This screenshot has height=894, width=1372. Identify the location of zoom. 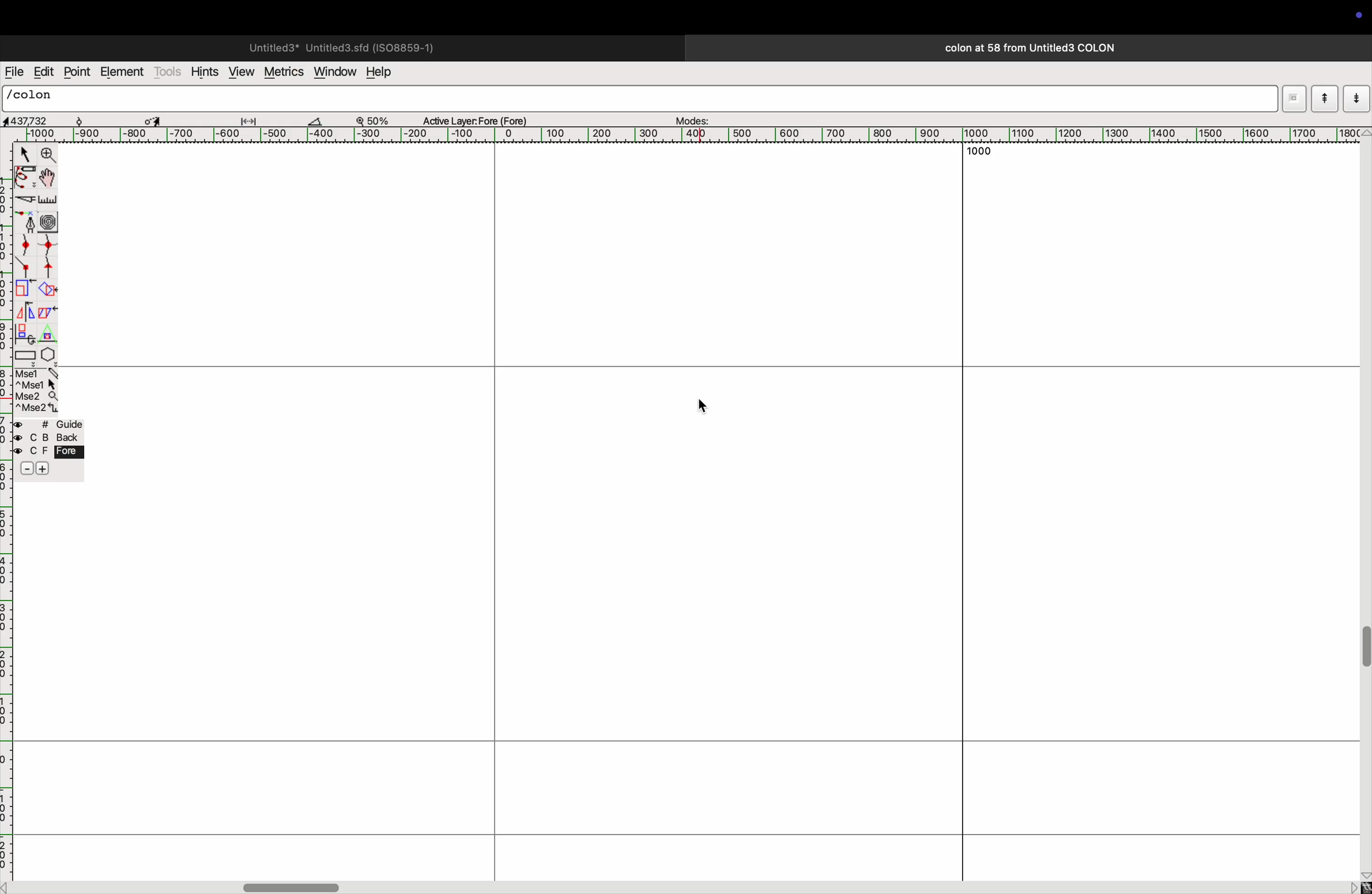
(49, 155).